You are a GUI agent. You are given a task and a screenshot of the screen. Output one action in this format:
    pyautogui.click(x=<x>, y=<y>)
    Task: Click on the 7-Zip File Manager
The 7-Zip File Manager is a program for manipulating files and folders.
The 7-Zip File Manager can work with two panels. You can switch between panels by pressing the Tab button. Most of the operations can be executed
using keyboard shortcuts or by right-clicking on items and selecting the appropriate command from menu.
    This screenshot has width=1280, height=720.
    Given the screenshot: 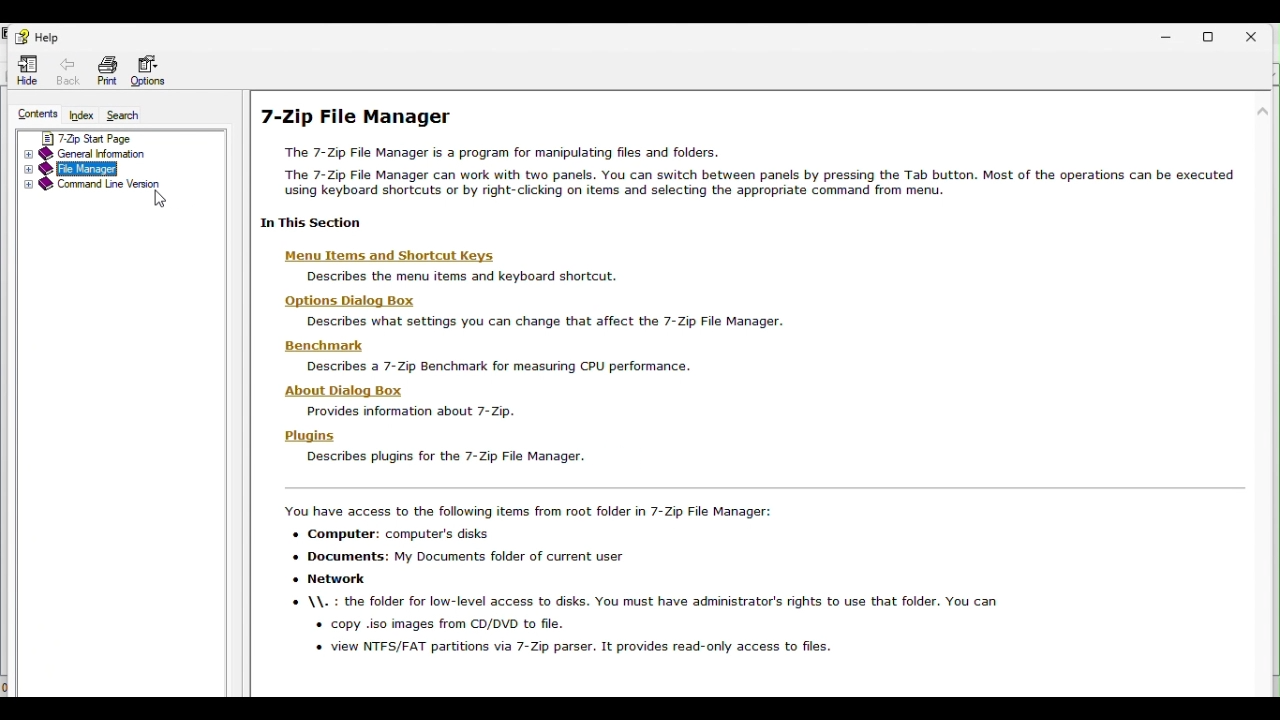 What is the action you would take?
    pyautogui.click(x=758, y=172)
    